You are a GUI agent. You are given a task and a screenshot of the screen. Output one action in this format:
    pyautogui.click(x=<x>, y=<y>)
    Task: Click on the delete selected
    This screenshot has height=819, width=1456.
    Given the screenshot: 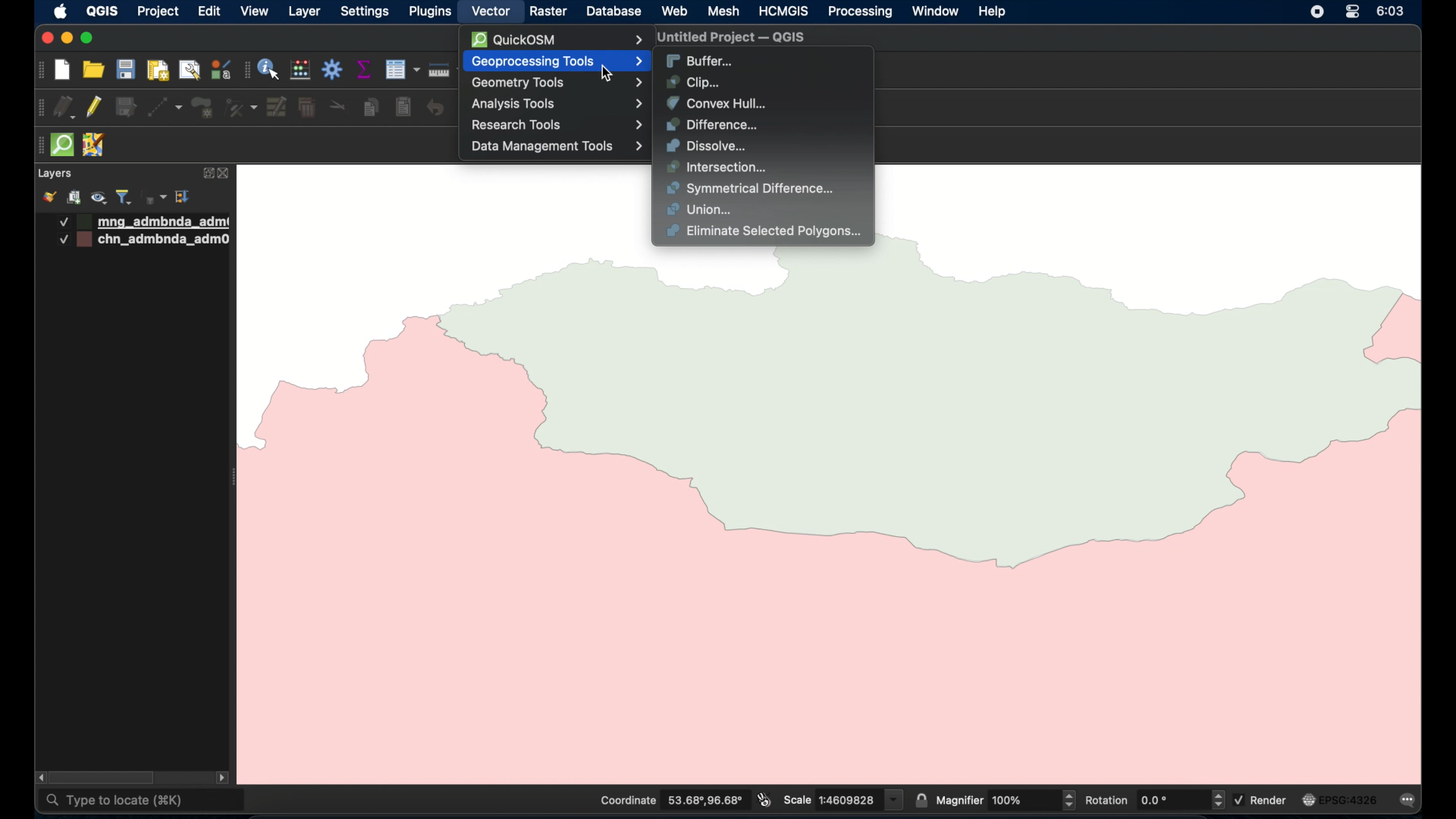 What is the action you would take?
    pyautogui.click(x=307, y=108)
    